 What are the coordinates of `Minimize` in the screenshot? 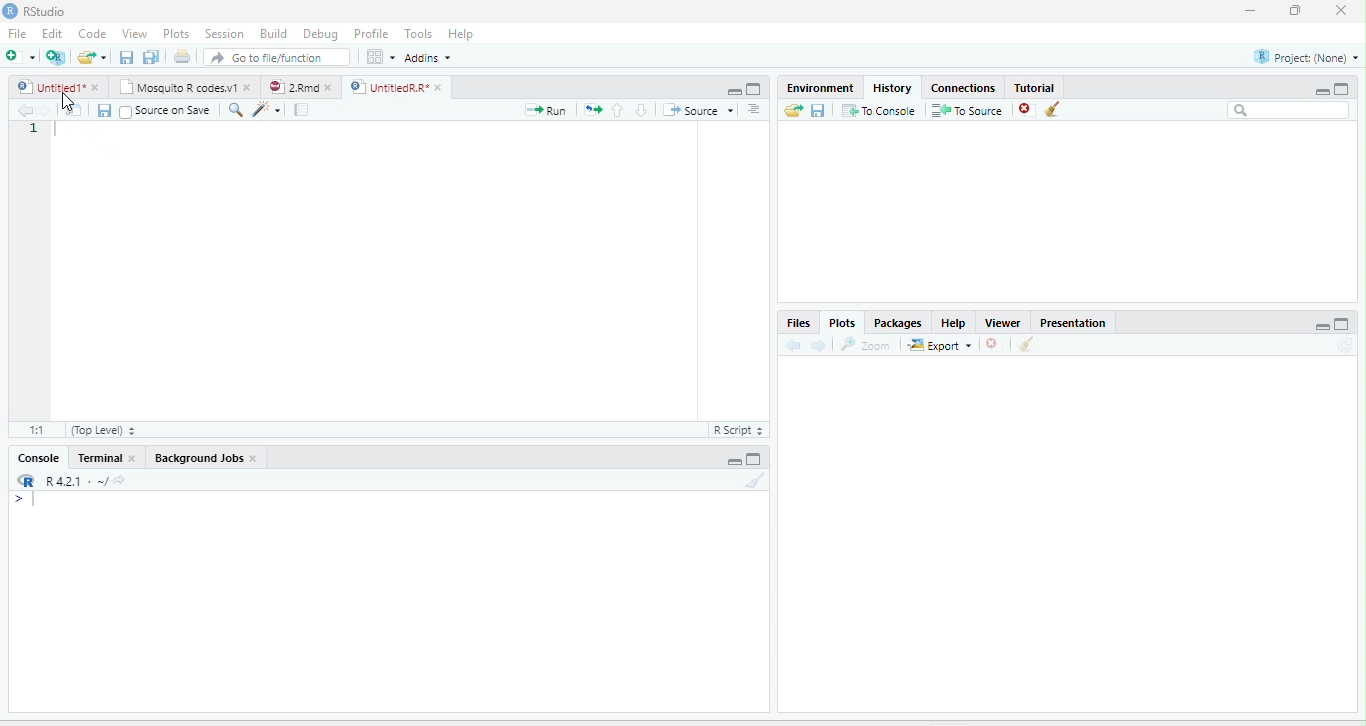 It's located at (1321, 91).